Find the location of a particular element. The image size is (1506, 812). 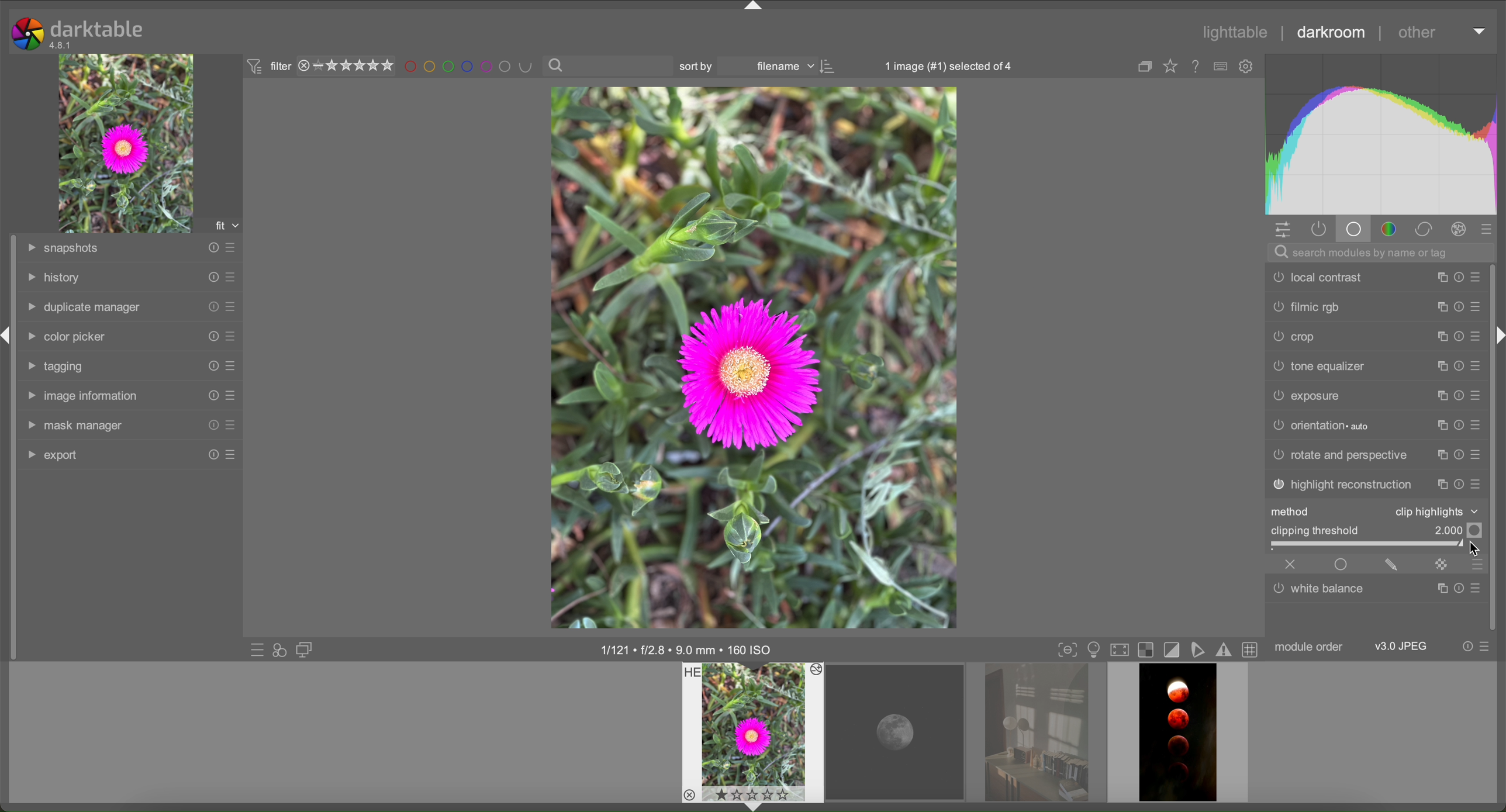

image is located at coordinates (755, 358).